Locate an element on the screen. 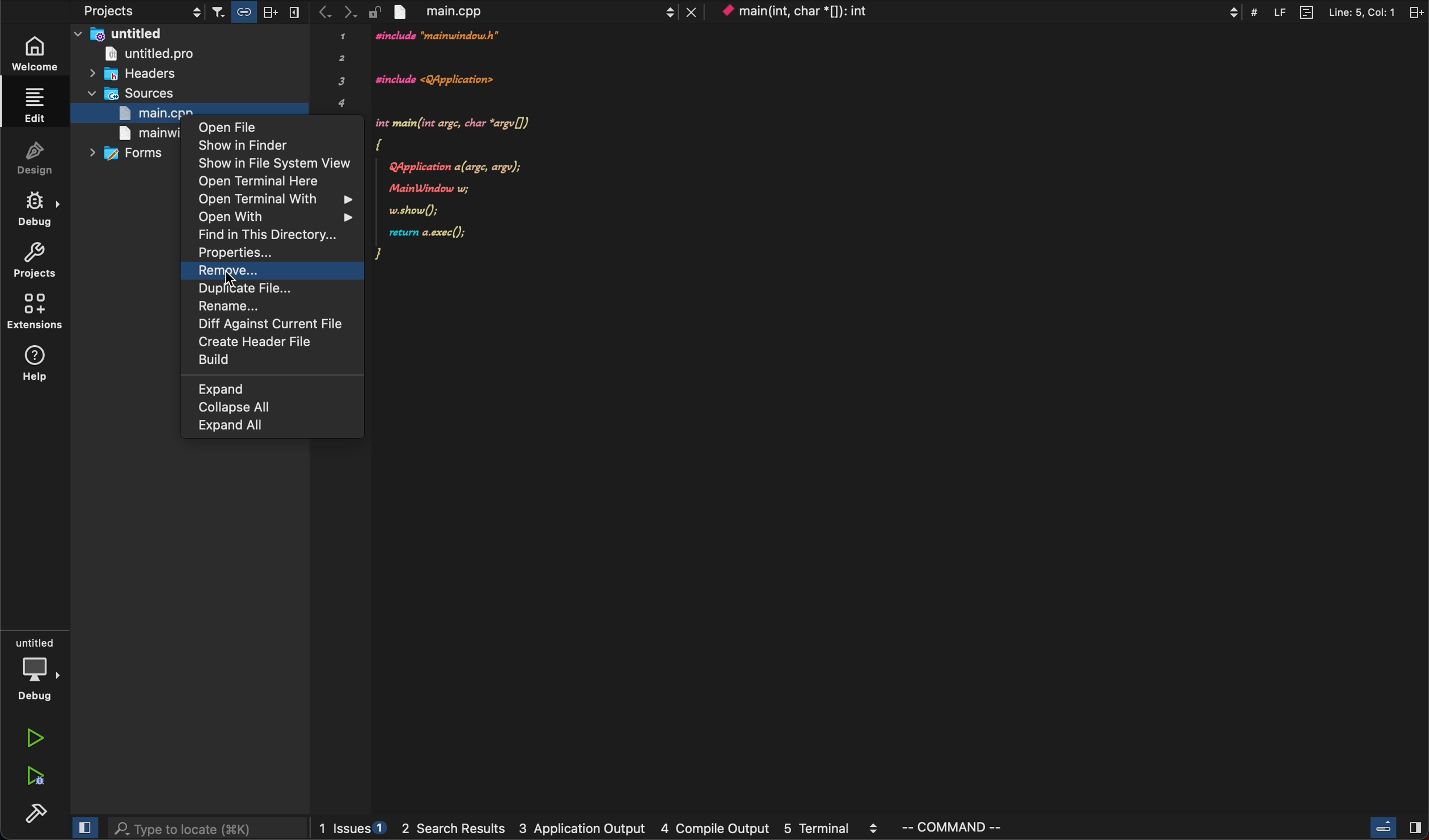 The height and width of the screenshot is (840, 1429). split is located at coordinates (1348, 11).